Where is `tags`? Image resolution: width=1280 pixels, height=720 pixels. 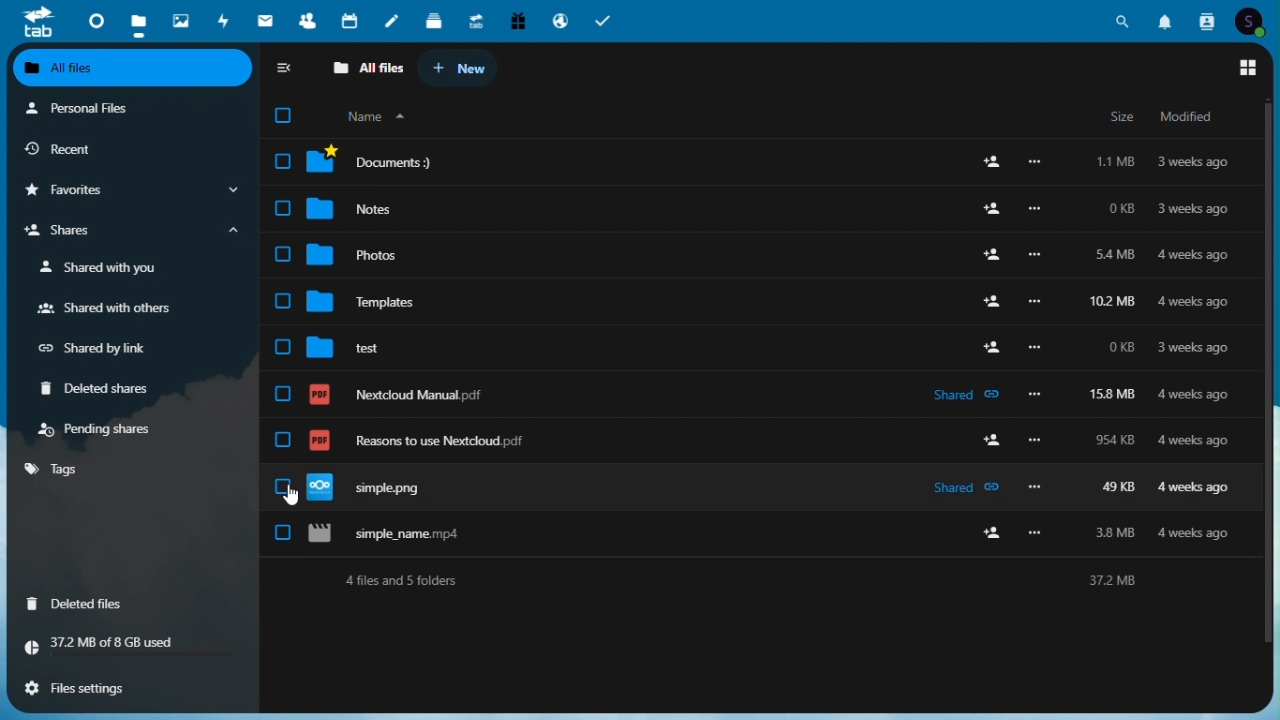
tags is located at coordinates (55, 469).